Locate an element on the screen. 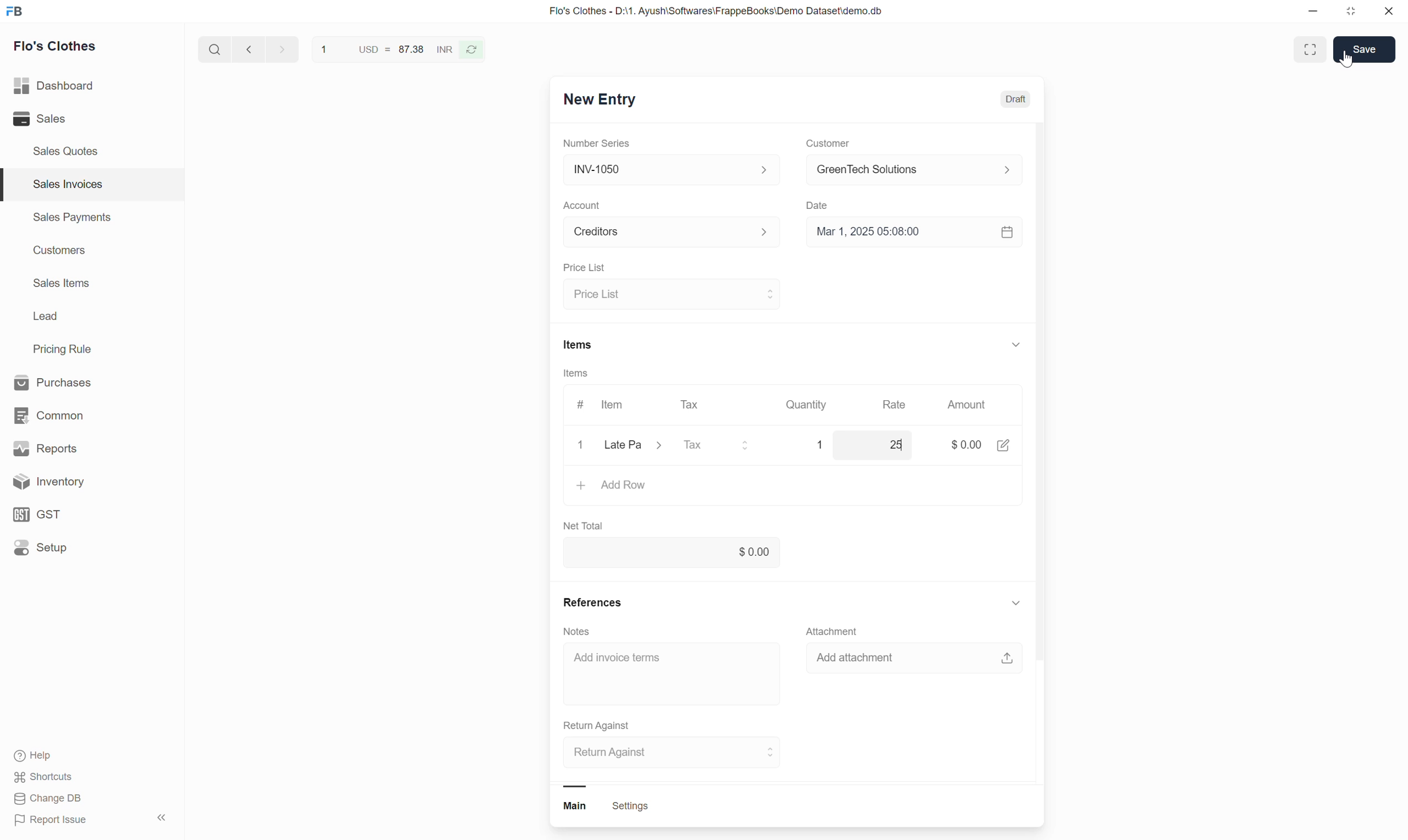 The image size is (1408, 840). Attachment is located at coordinates (836, 629).